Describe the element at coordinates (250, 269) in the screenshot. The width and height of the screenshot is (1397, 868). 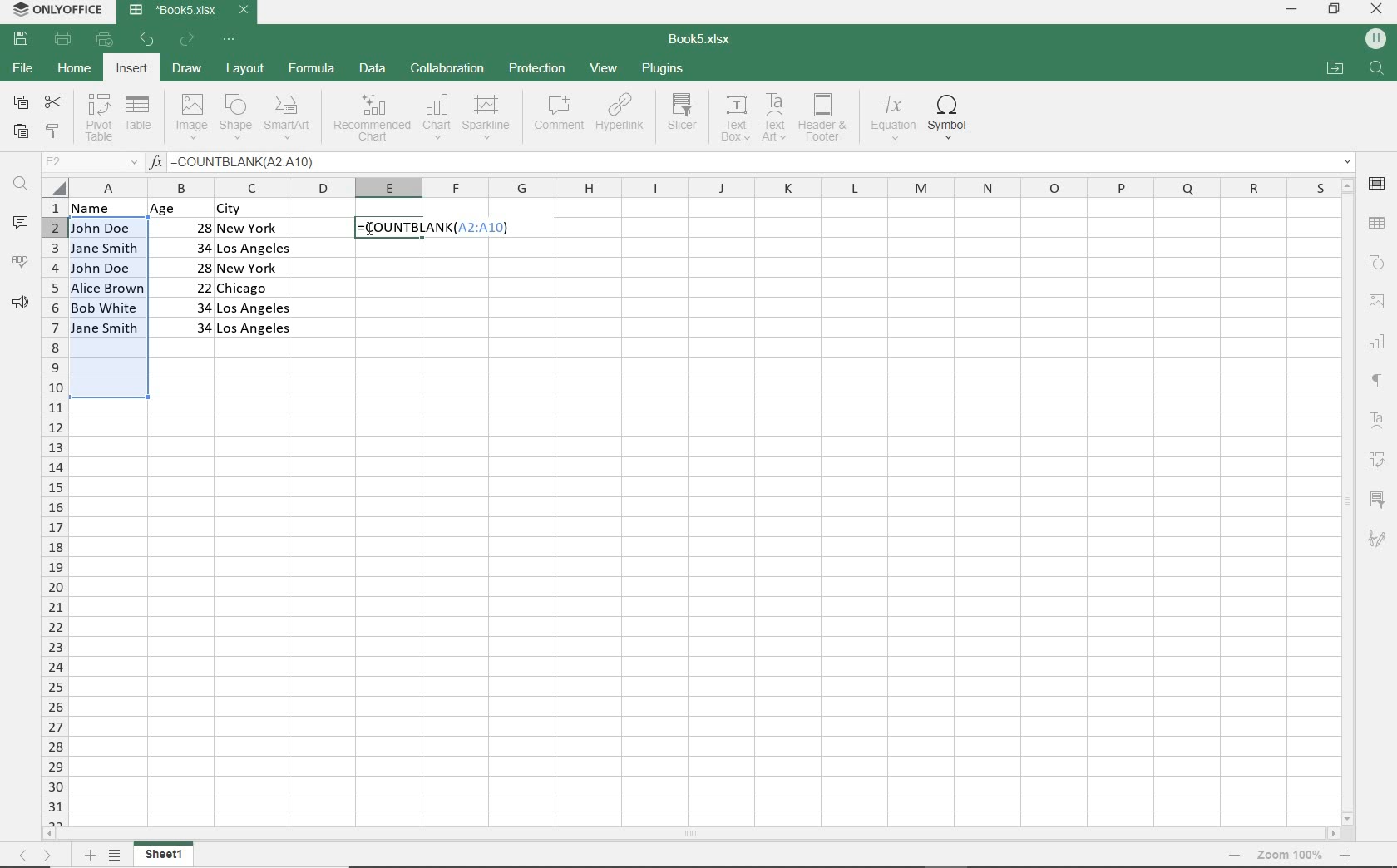
I see `New York` at that location.